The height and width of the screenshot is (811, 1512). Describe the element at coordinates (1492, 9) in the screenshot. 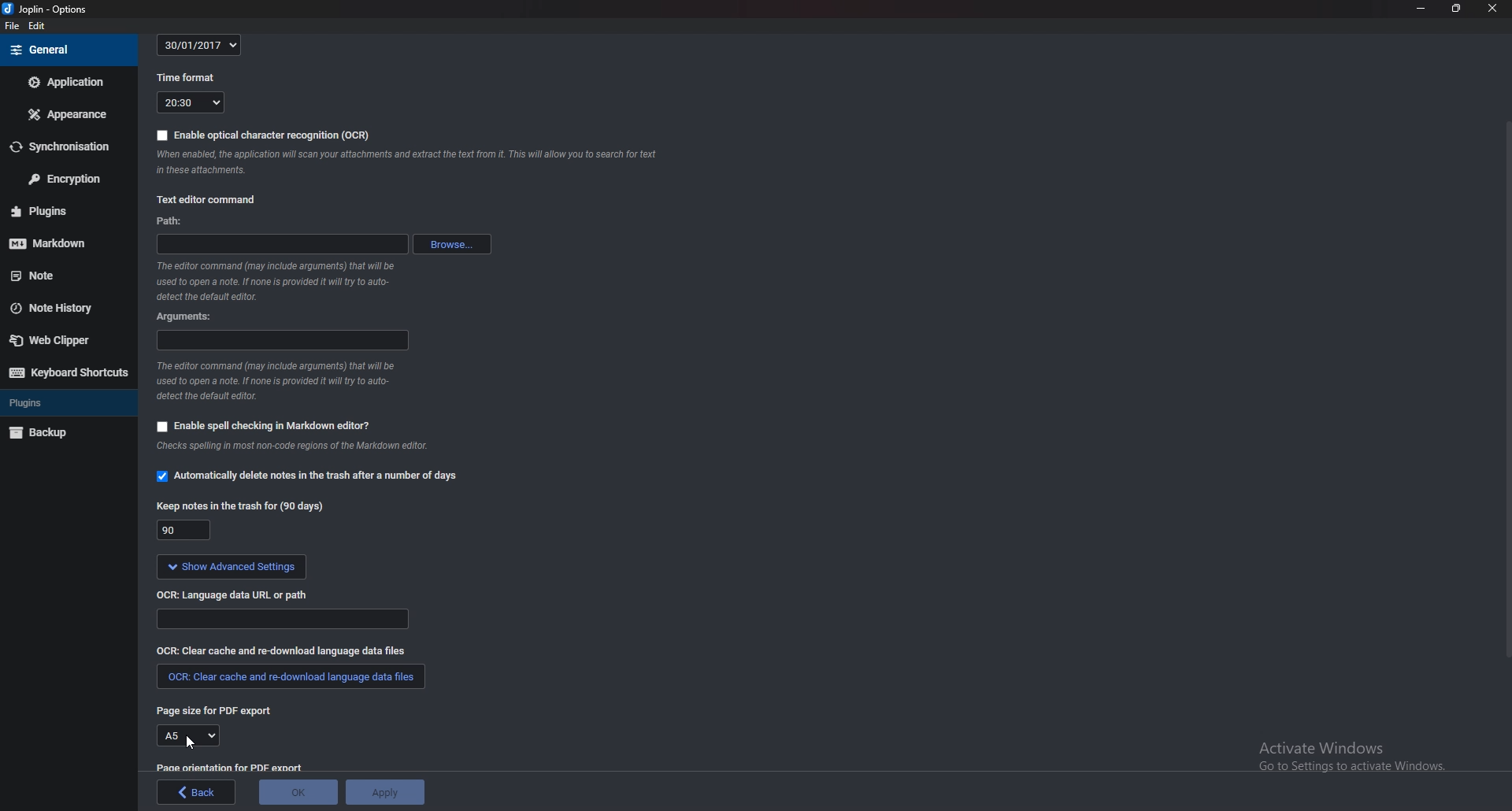

I see `close` at that location.